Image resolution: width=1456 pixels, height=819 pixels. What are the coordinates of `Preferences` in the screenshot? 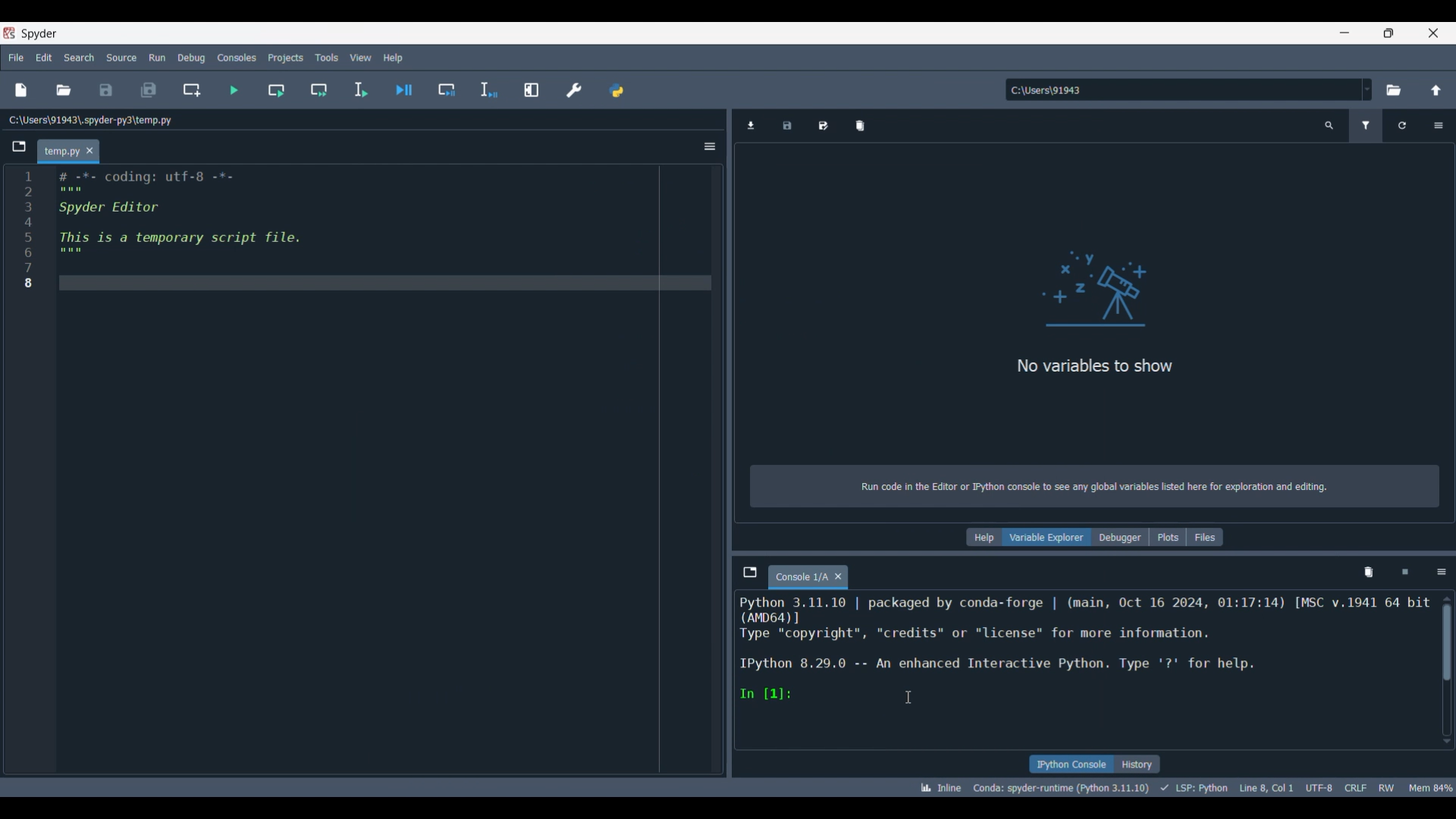 It's located at (575, 86).